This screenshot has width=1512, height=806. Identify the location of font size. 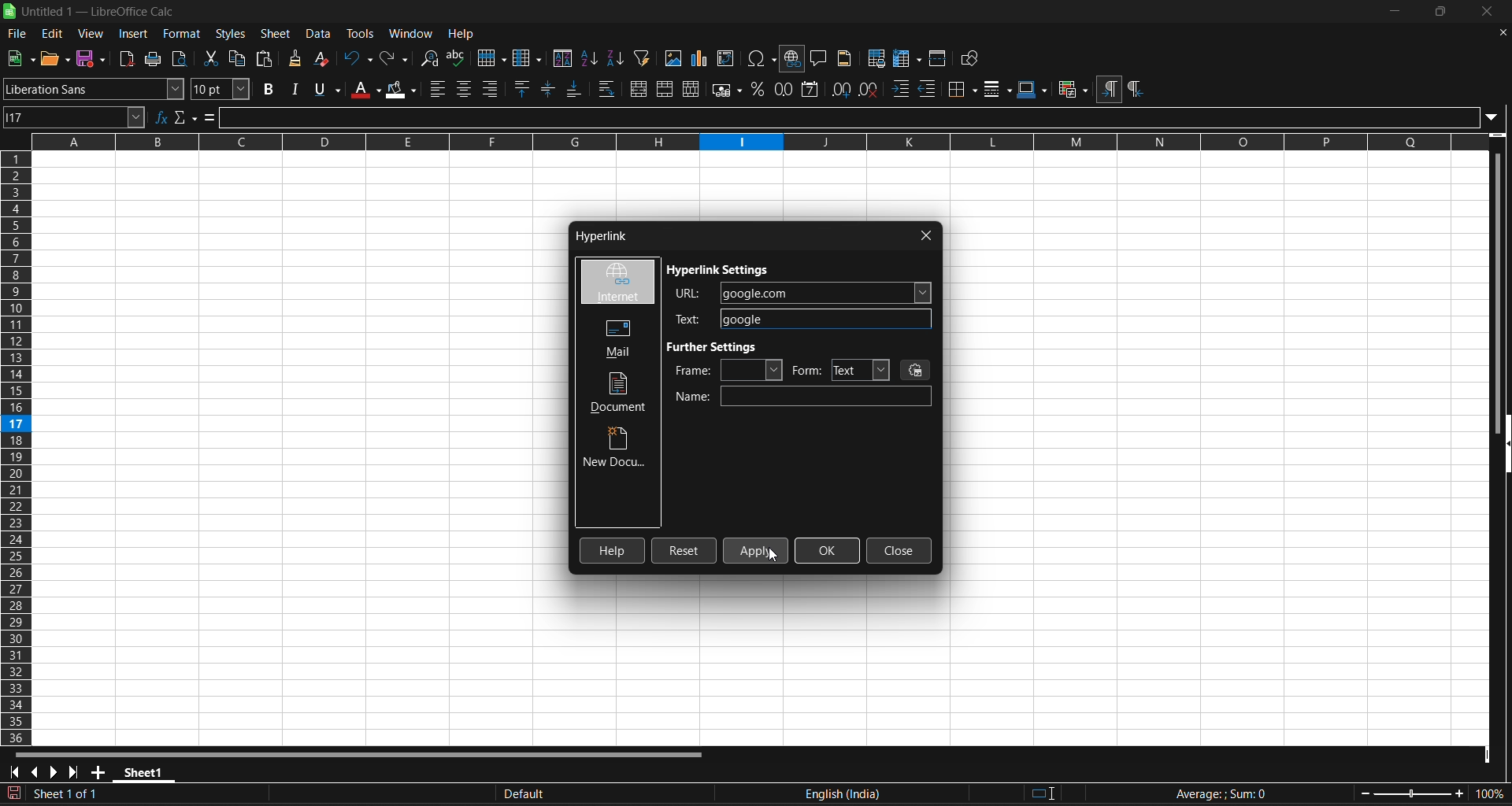
(222, 89).